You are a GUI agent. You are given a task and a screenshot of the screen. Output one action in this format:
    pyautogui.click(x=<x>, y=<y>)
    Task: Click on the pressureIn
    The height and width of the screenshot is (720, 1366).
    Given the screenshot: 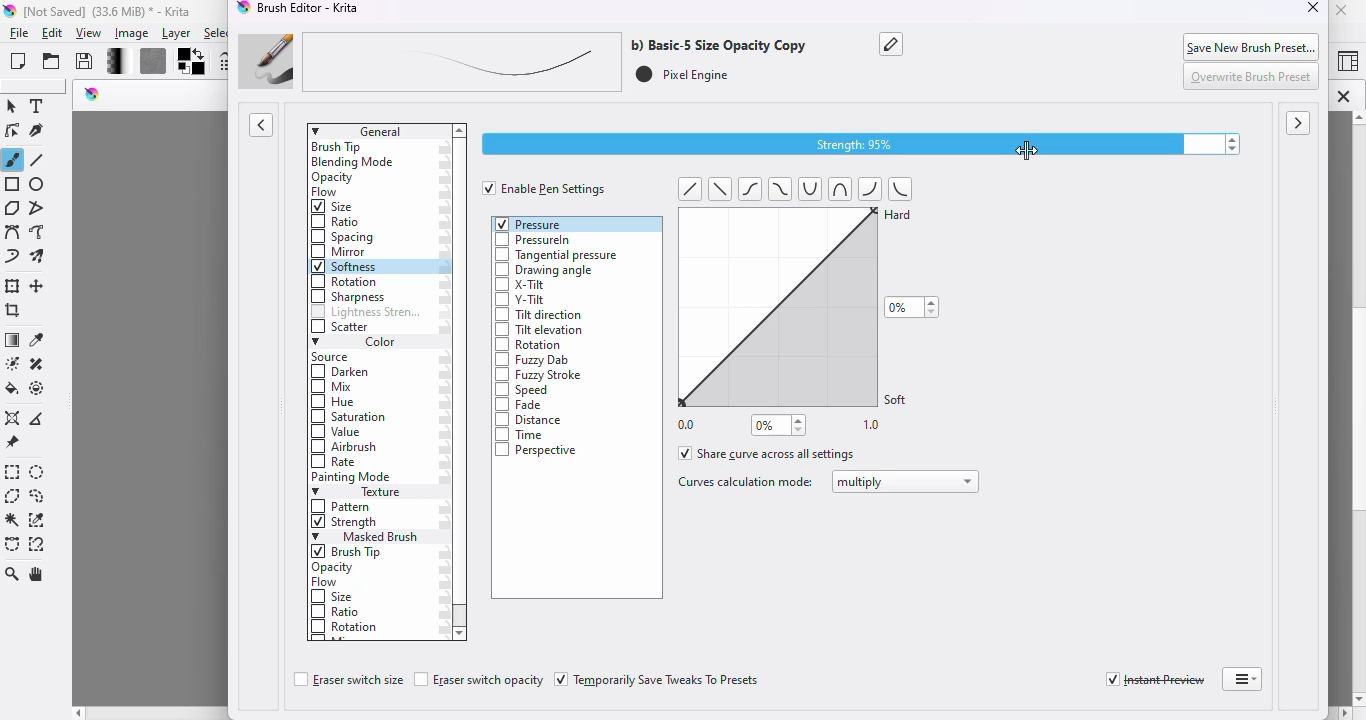 What is the action you would take?
    pyautogui.click(x=533, y=240)
    